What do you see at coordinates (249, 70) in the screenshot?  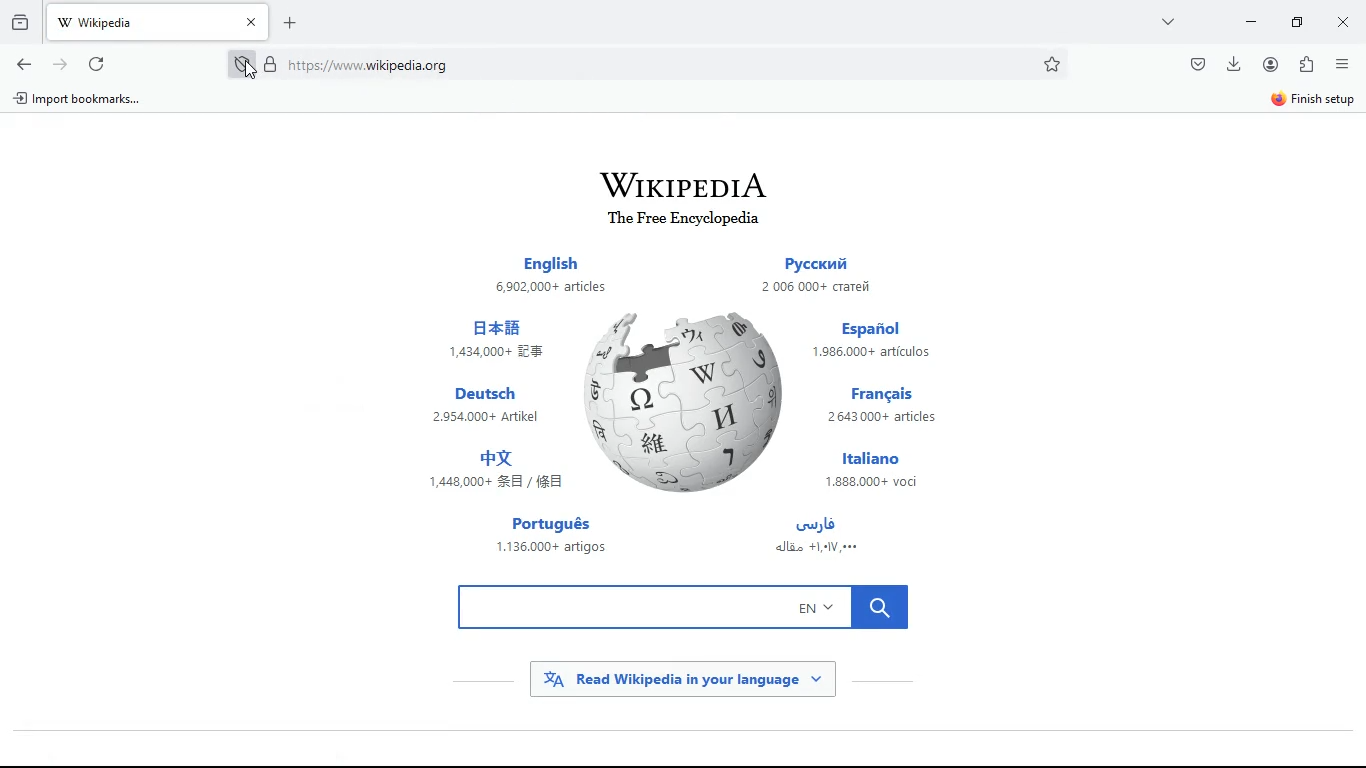 I see `Cursor` at bounding box center [249, 70].